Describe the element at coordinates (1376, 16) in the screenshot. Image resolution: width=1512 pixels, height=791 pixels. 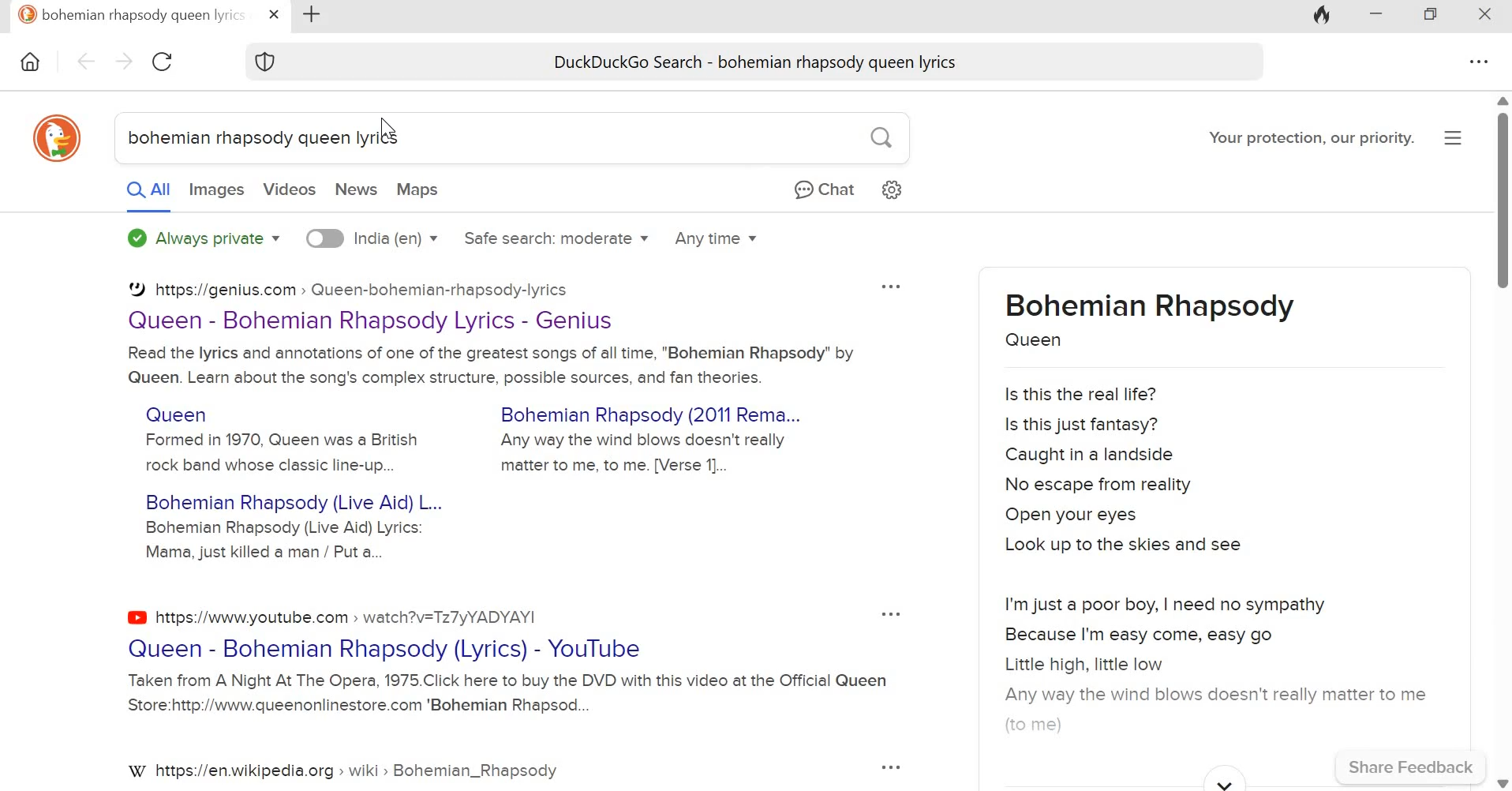
I see `Minimize` at that location.